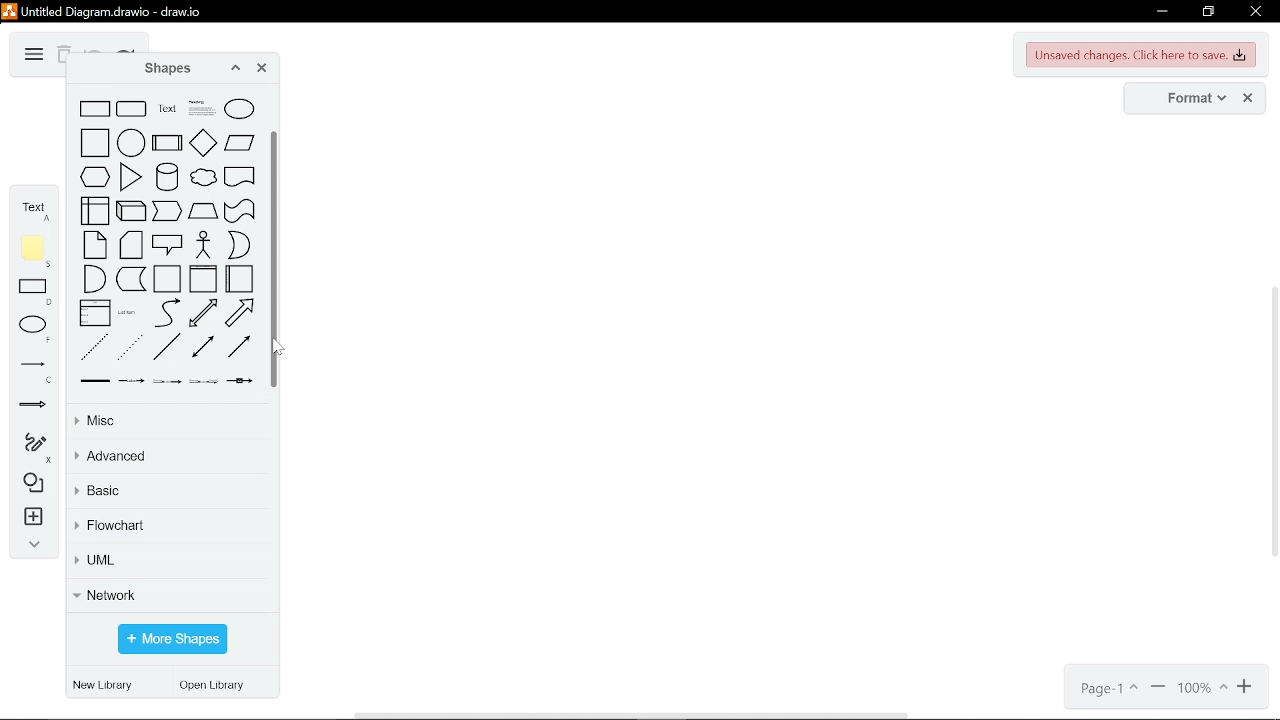  I want to click on arrow, so click(239, 313).